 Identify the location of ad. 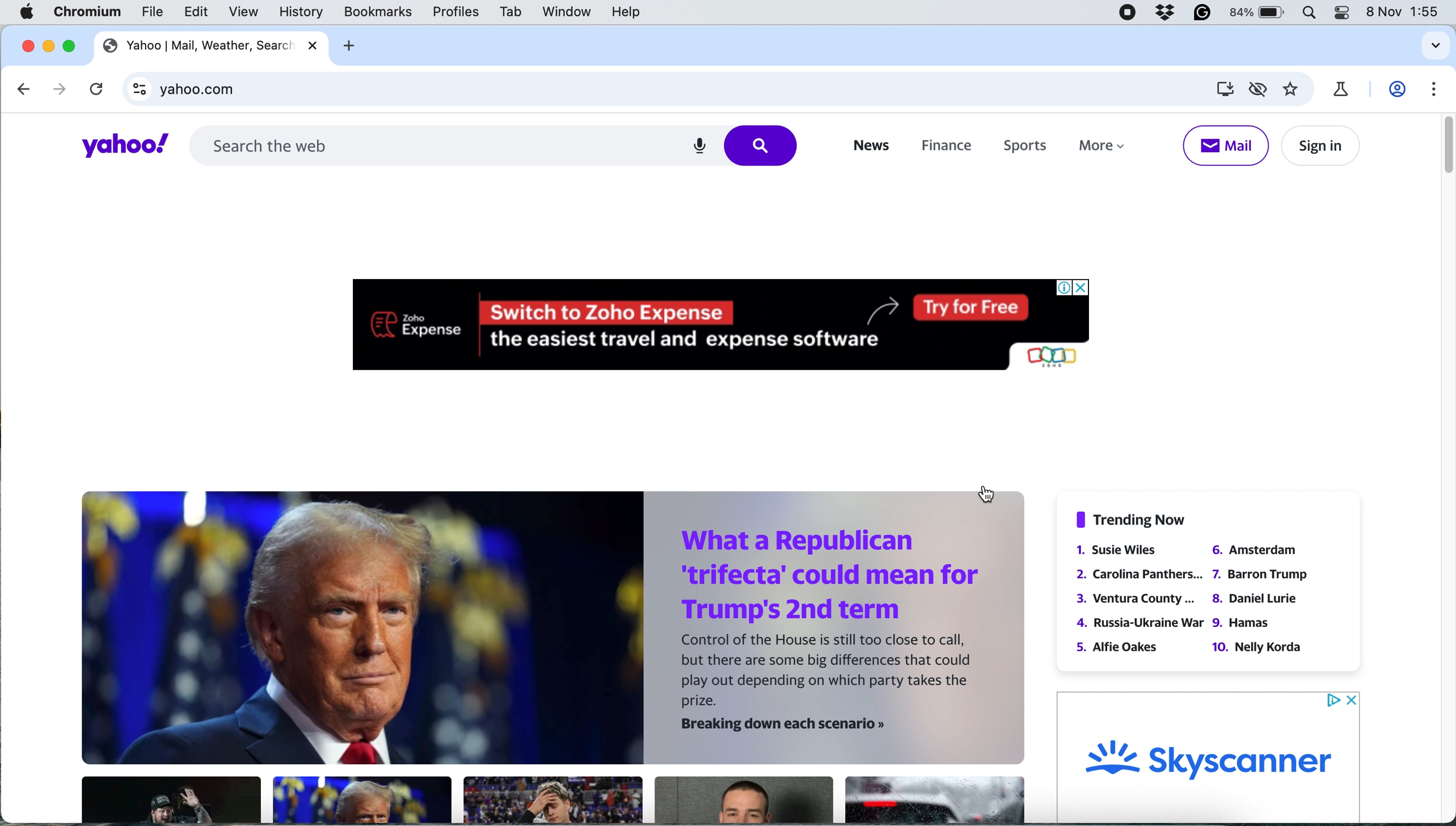
(1211, 756).